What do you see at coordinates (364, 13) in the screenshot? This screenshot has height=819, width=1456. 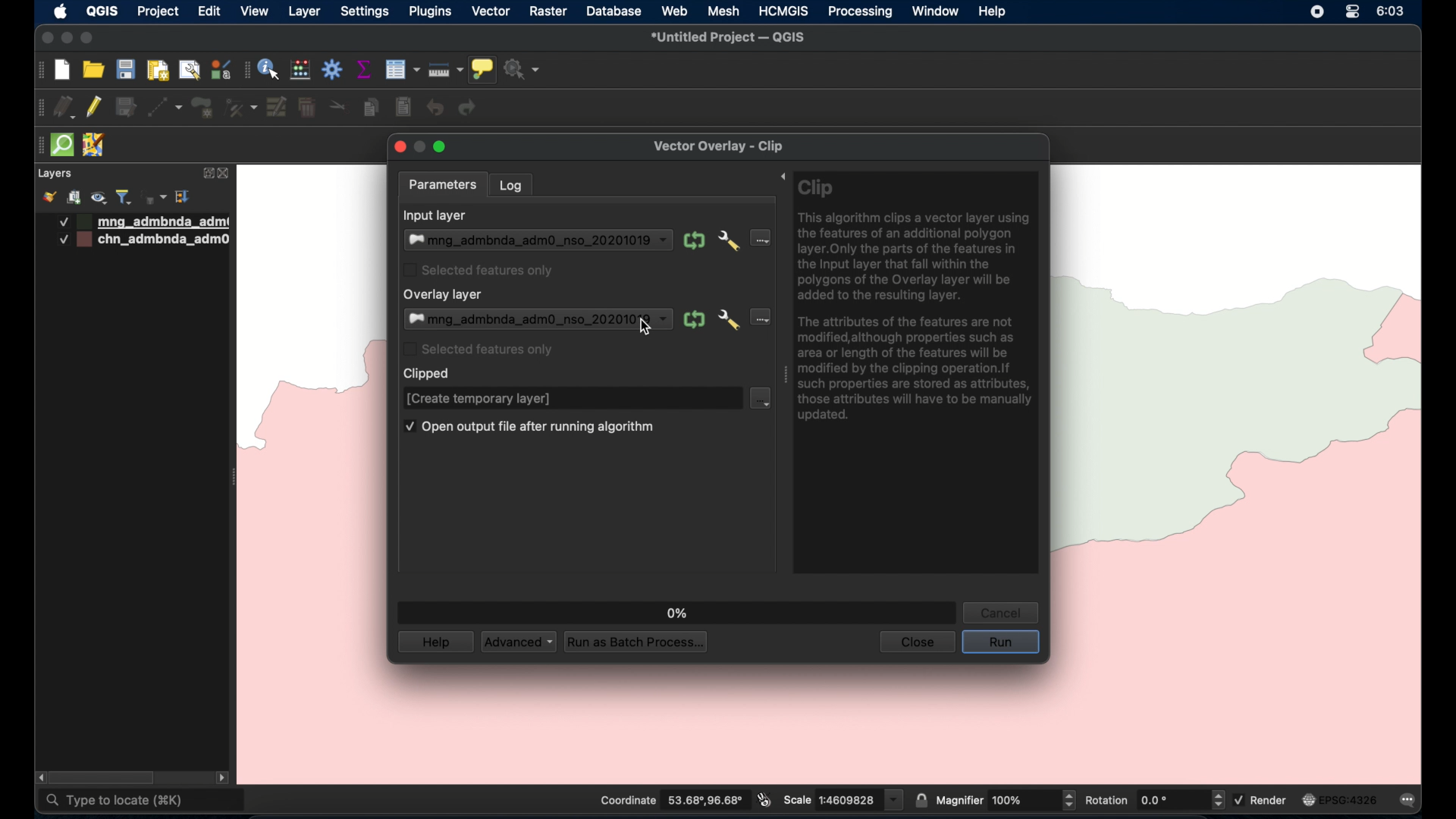 I see `settings` at bounding box center [364, 13].